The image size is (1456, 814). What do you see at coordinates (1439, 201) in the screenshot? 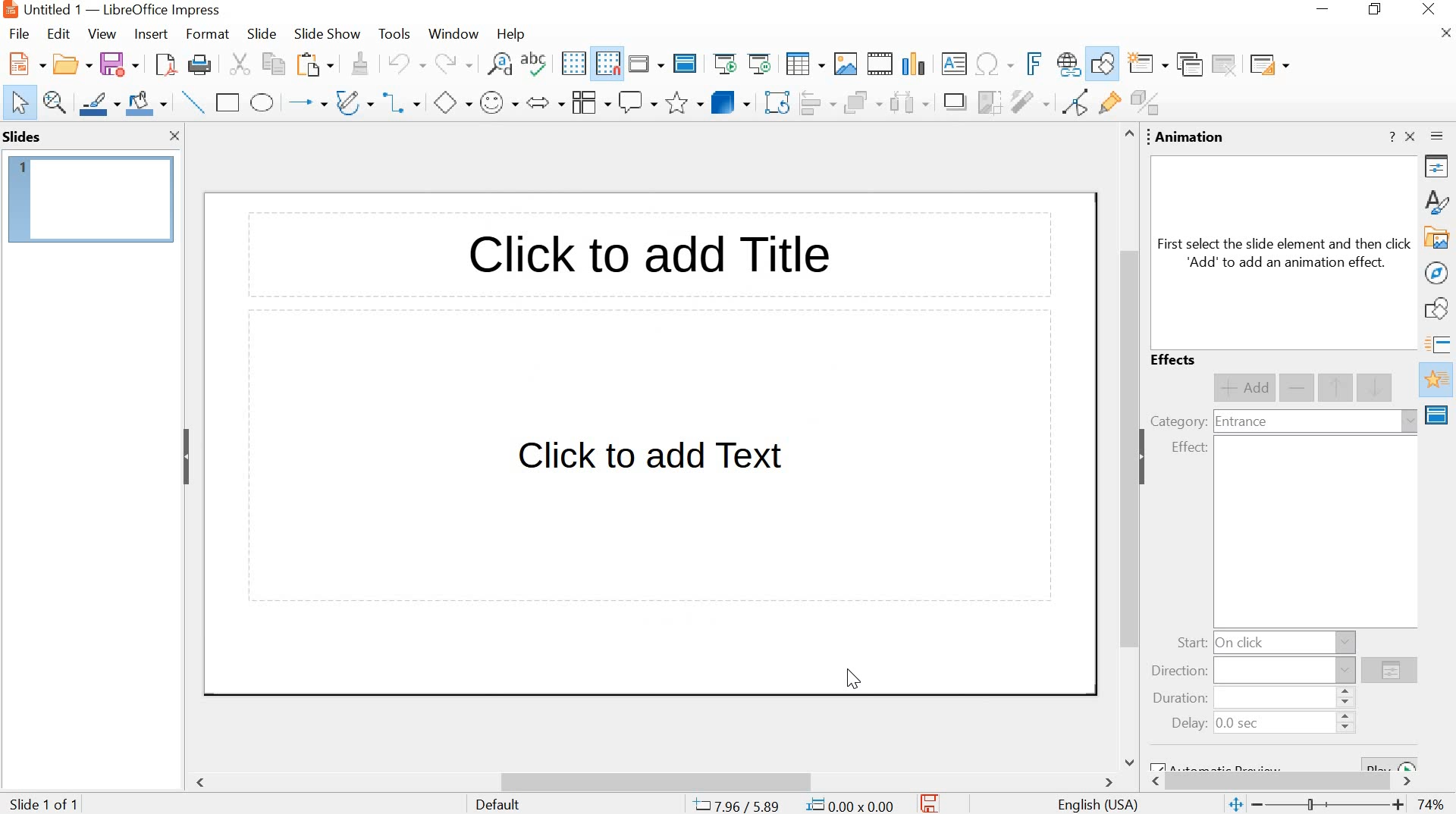
I see `styles` at bounding box center [1439, 201].